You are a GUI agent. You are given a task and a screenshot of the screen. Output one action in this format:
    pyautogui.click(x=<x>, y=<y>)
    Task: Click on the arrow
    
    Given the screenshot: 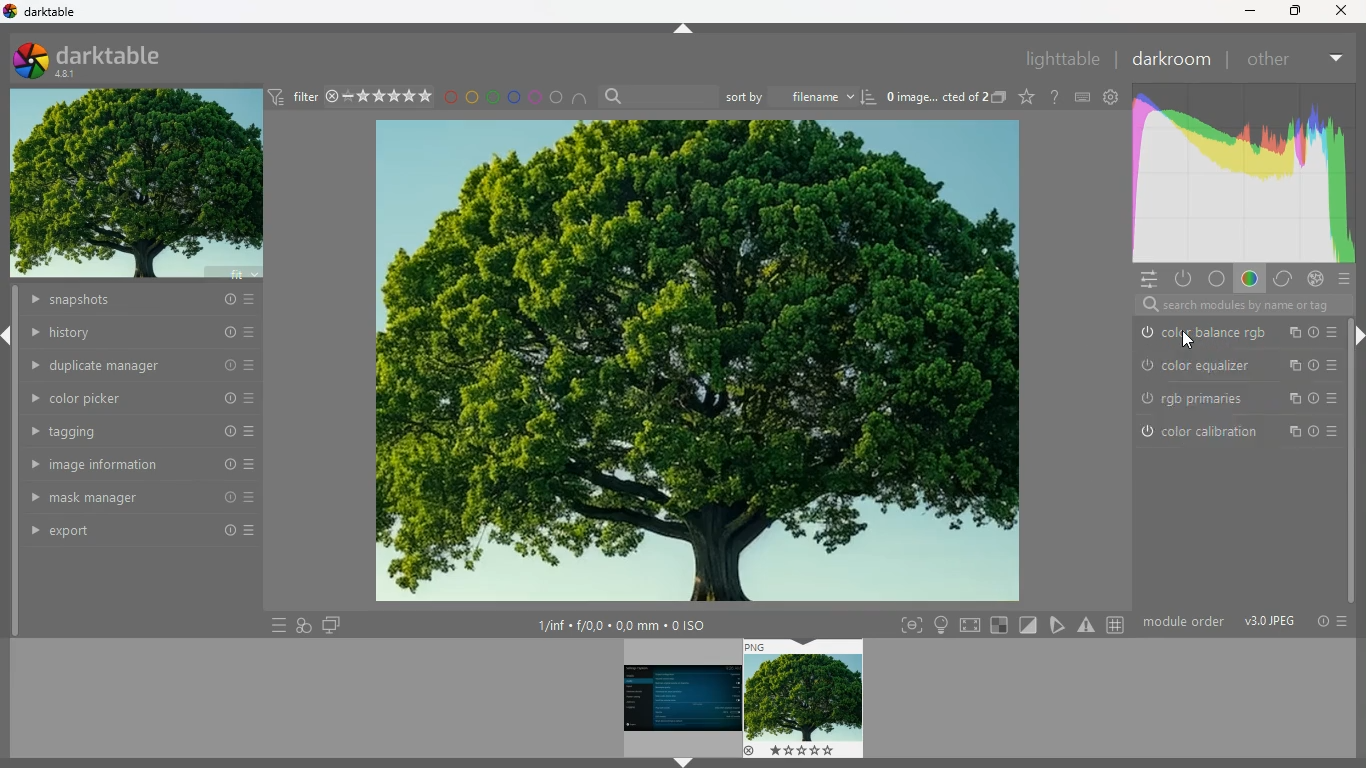 What is the action you would take?
    pyautogui.click(x=683, y=763)
    